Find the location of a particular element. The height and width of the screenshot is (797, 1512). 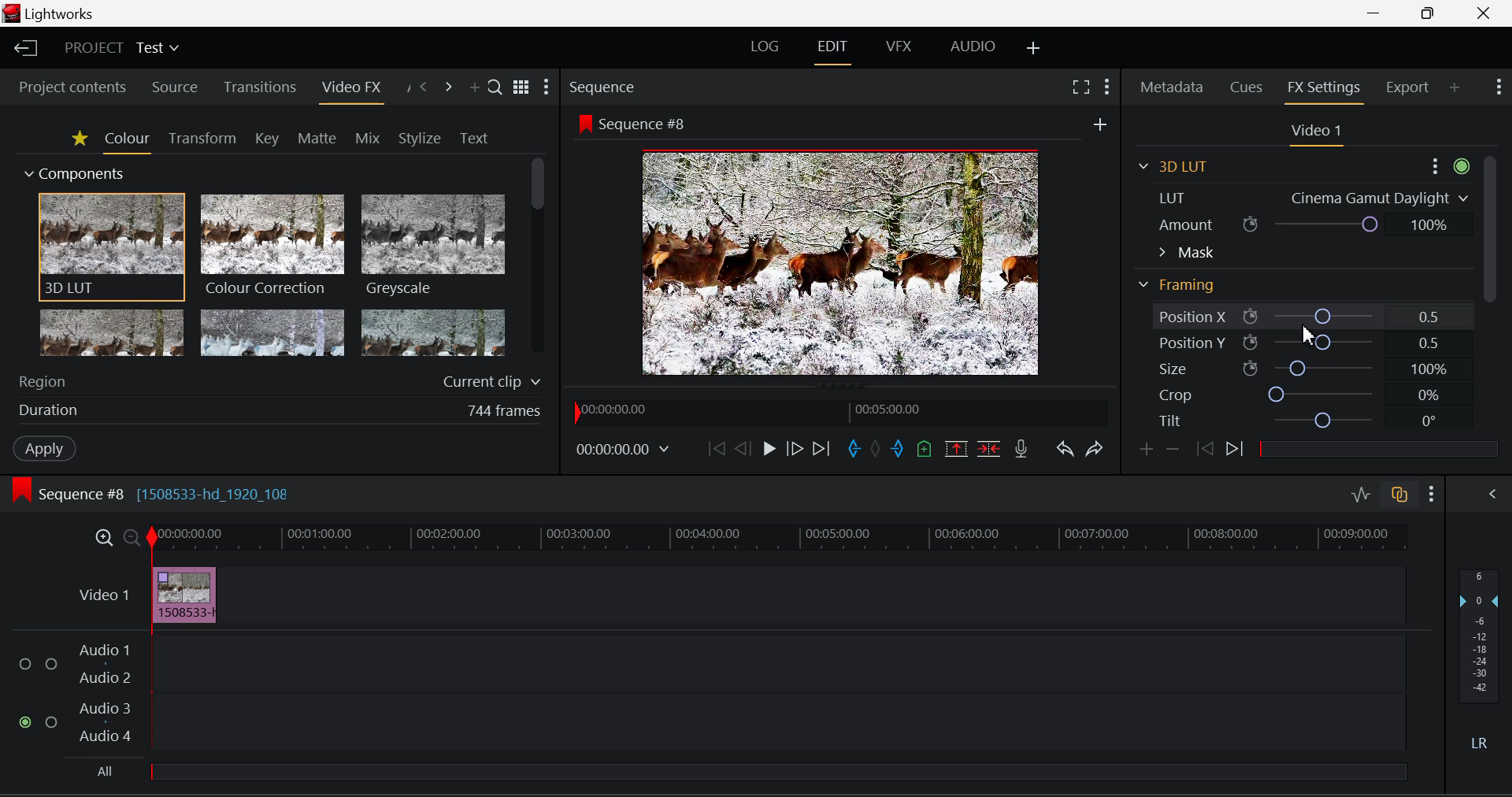

Record Voiceover is located at coordinates (1021, 449).